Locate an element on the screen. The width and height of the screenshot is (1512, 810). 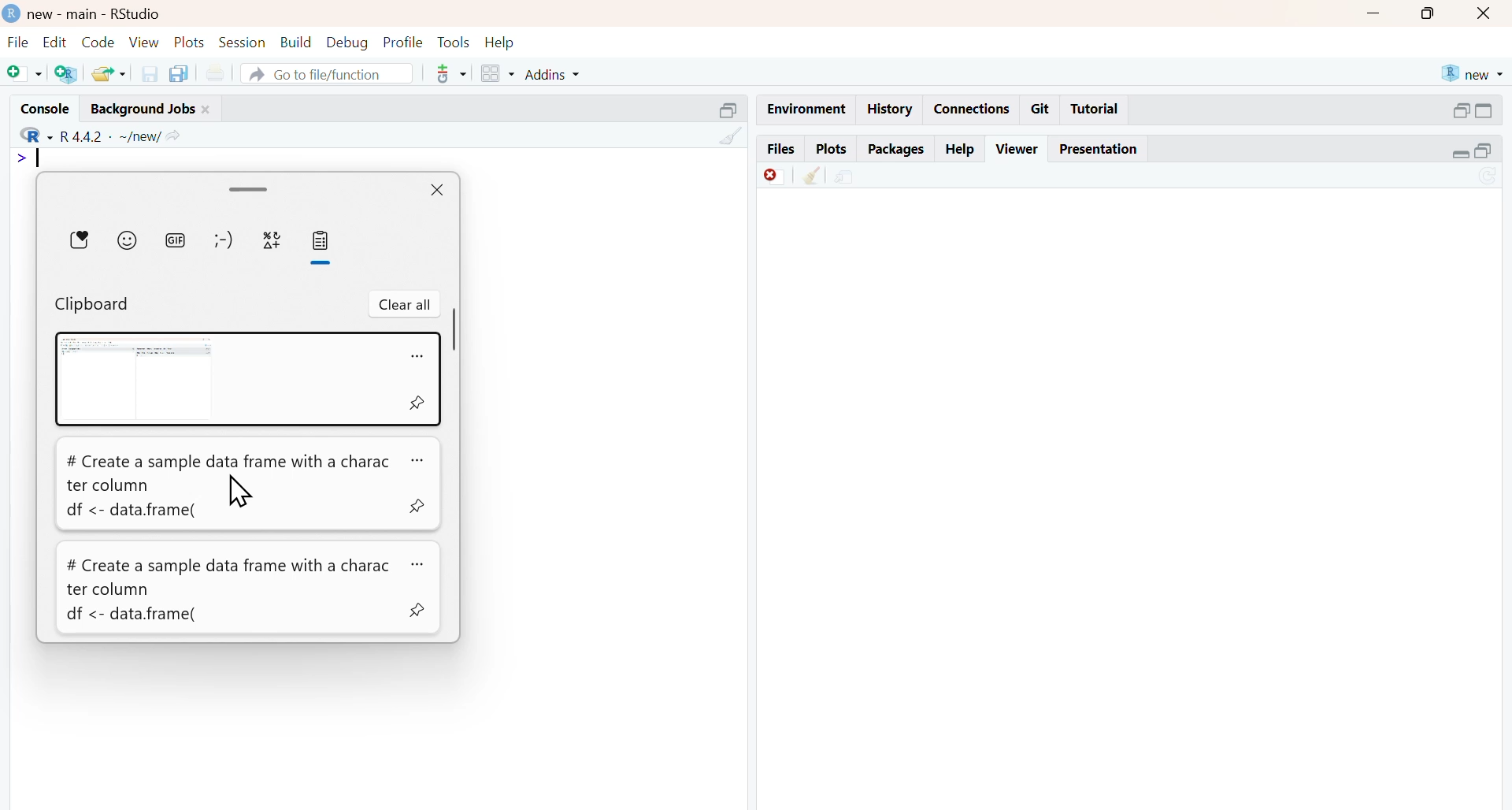
plots is located at coordinates (833, 150).